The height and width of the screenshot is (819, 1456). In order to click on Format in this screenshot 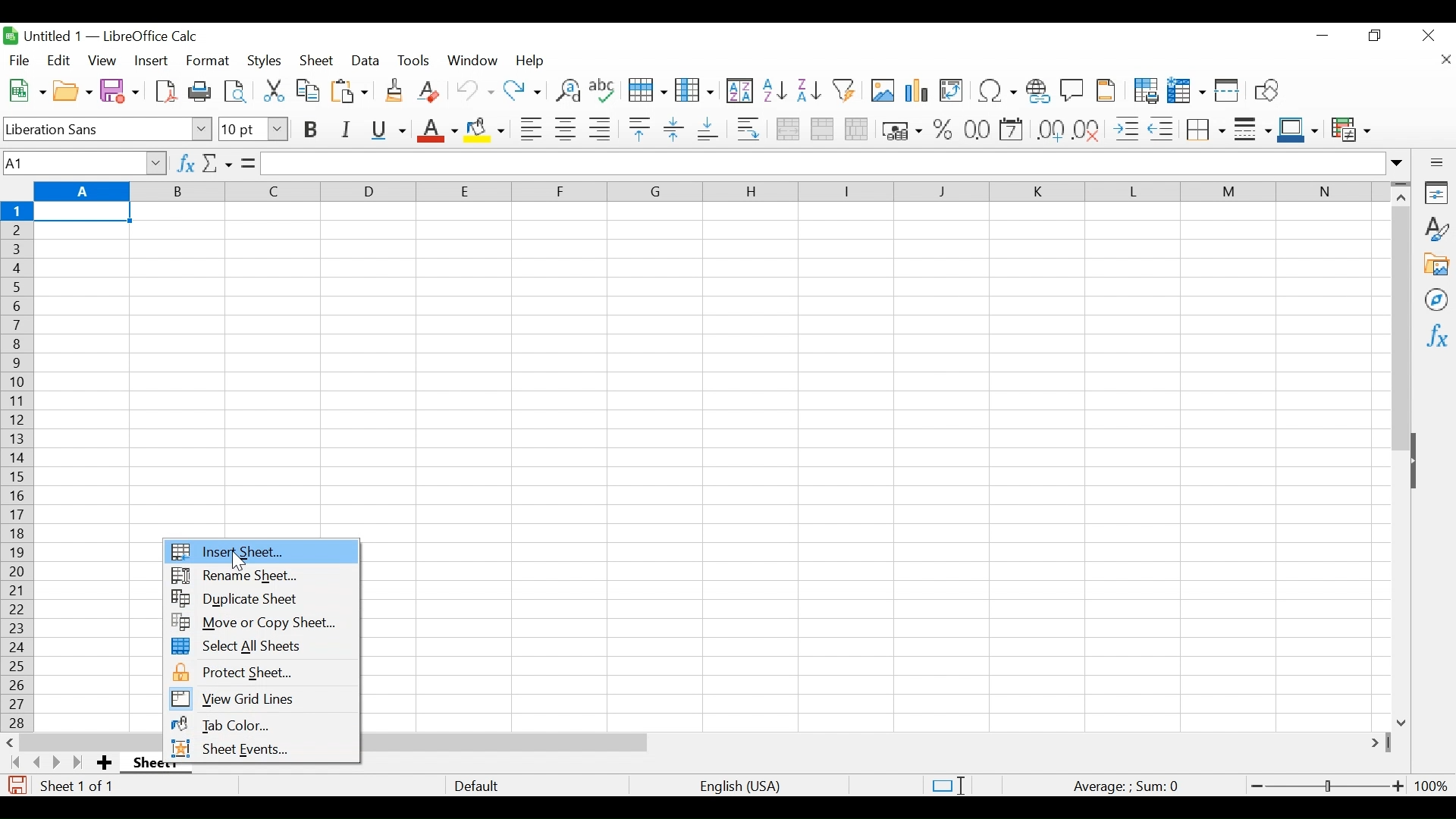, I will do `click(206, 61)`.